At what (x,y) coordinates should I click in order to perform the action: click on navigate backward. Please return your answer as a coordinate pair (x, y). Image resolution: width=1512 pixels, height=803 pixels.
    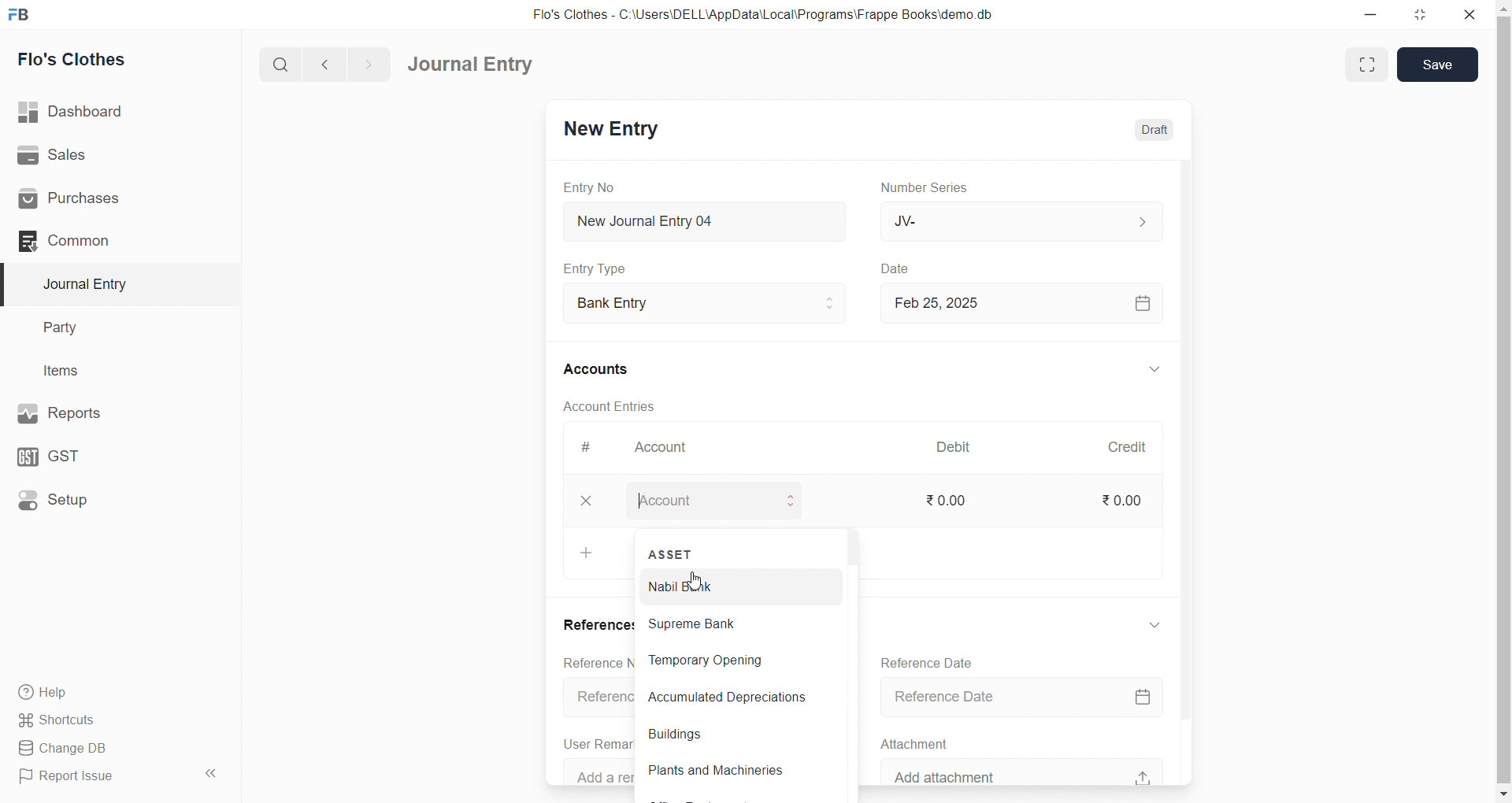
    Looking at the image, I should click on (332, 62).